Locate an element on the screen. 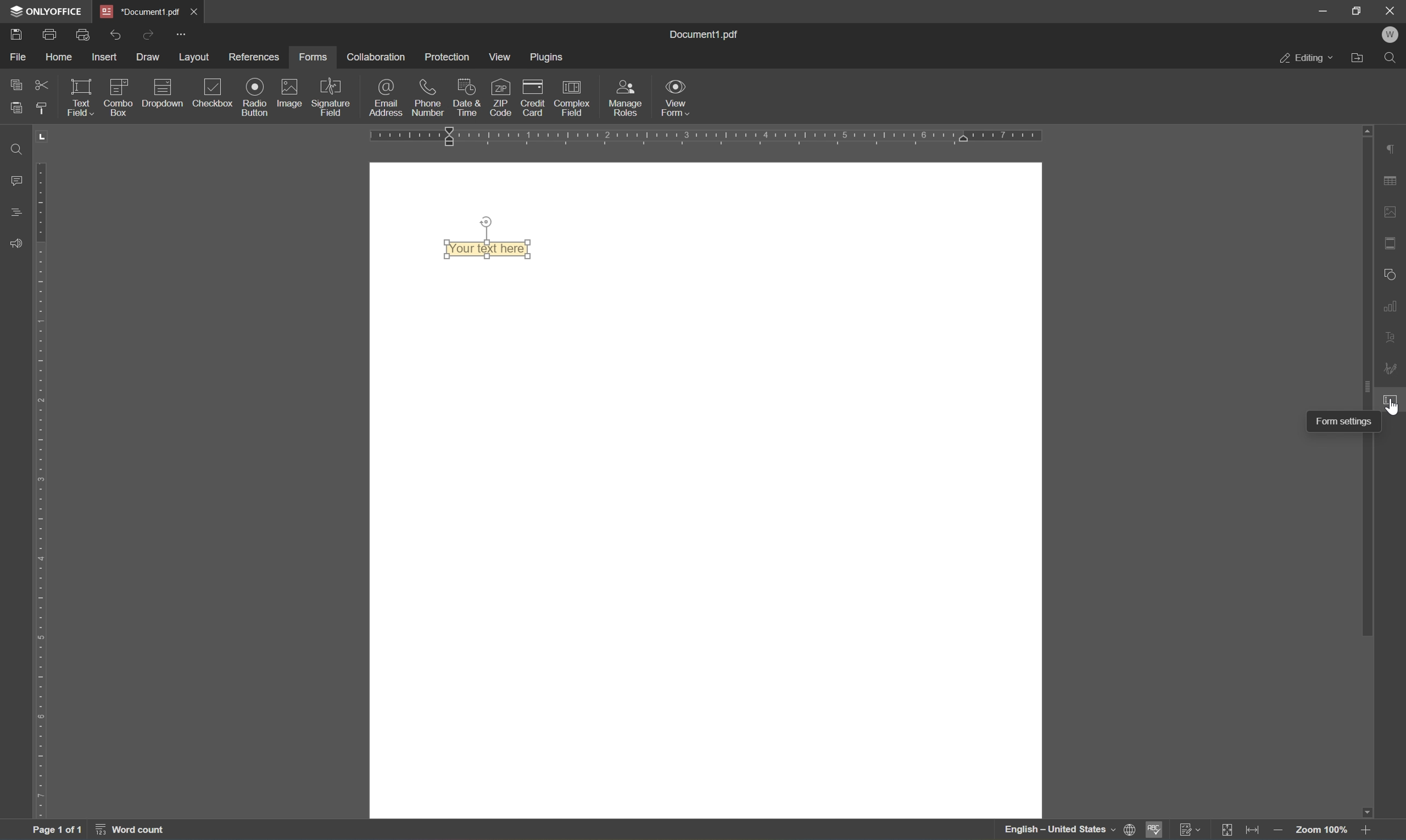 The width and height of the screenshot is (1406, 840). ruler is located at coordinates (45, 491).